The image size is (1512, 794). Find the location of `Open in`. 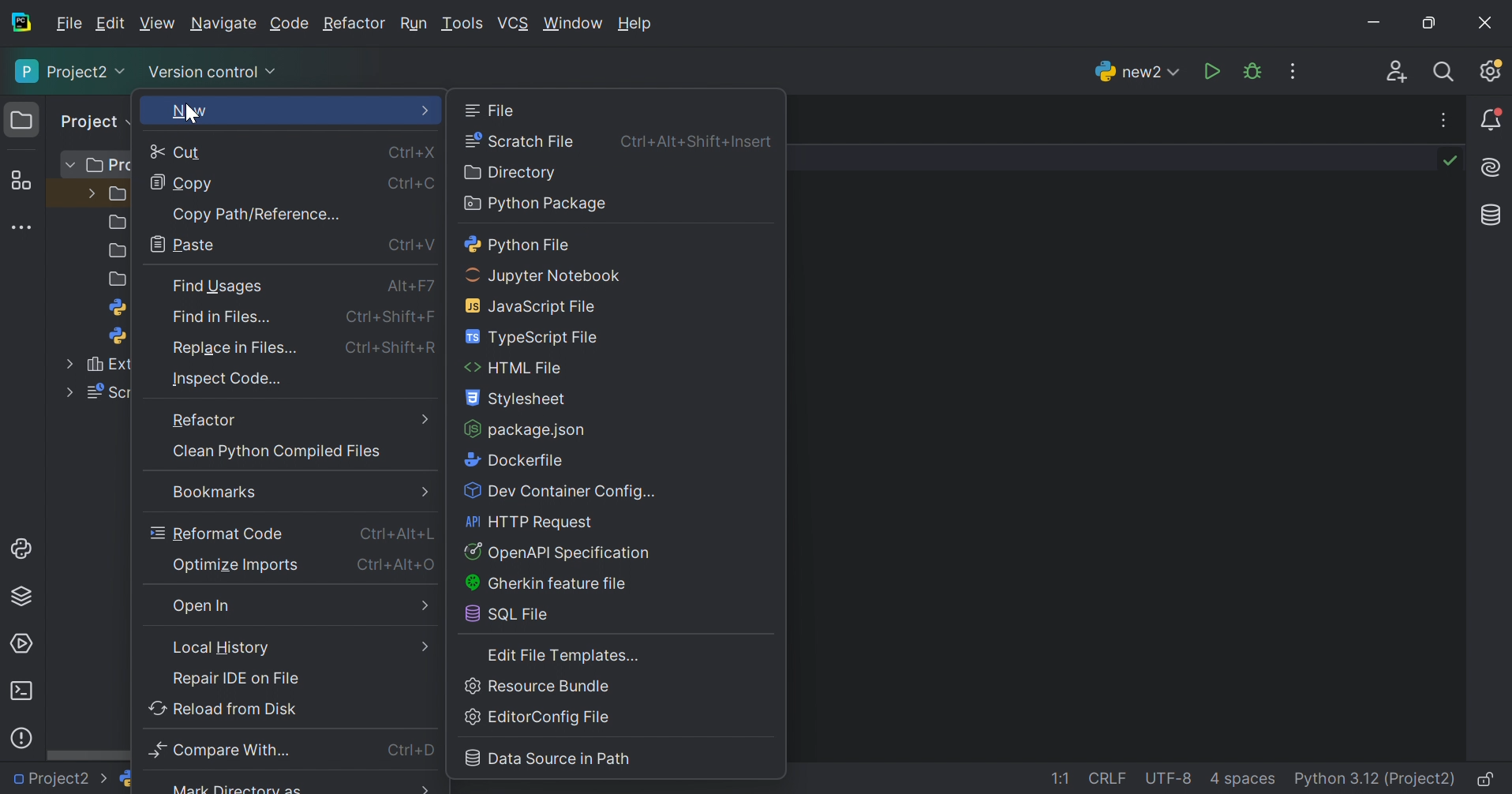

Open in is located at coordinates (206, 608).